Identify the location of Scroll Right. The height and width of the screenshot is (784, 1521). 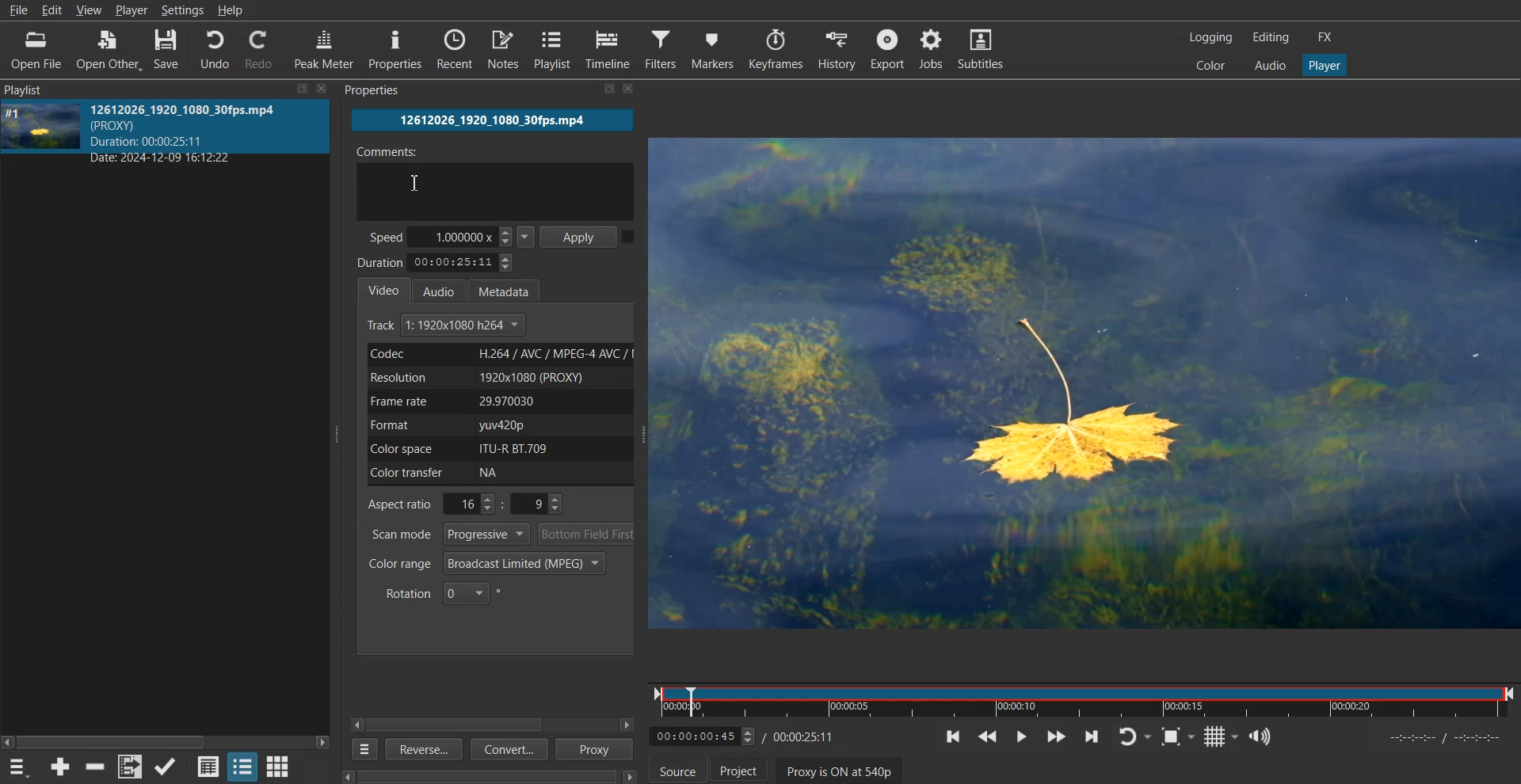
(627, 725).